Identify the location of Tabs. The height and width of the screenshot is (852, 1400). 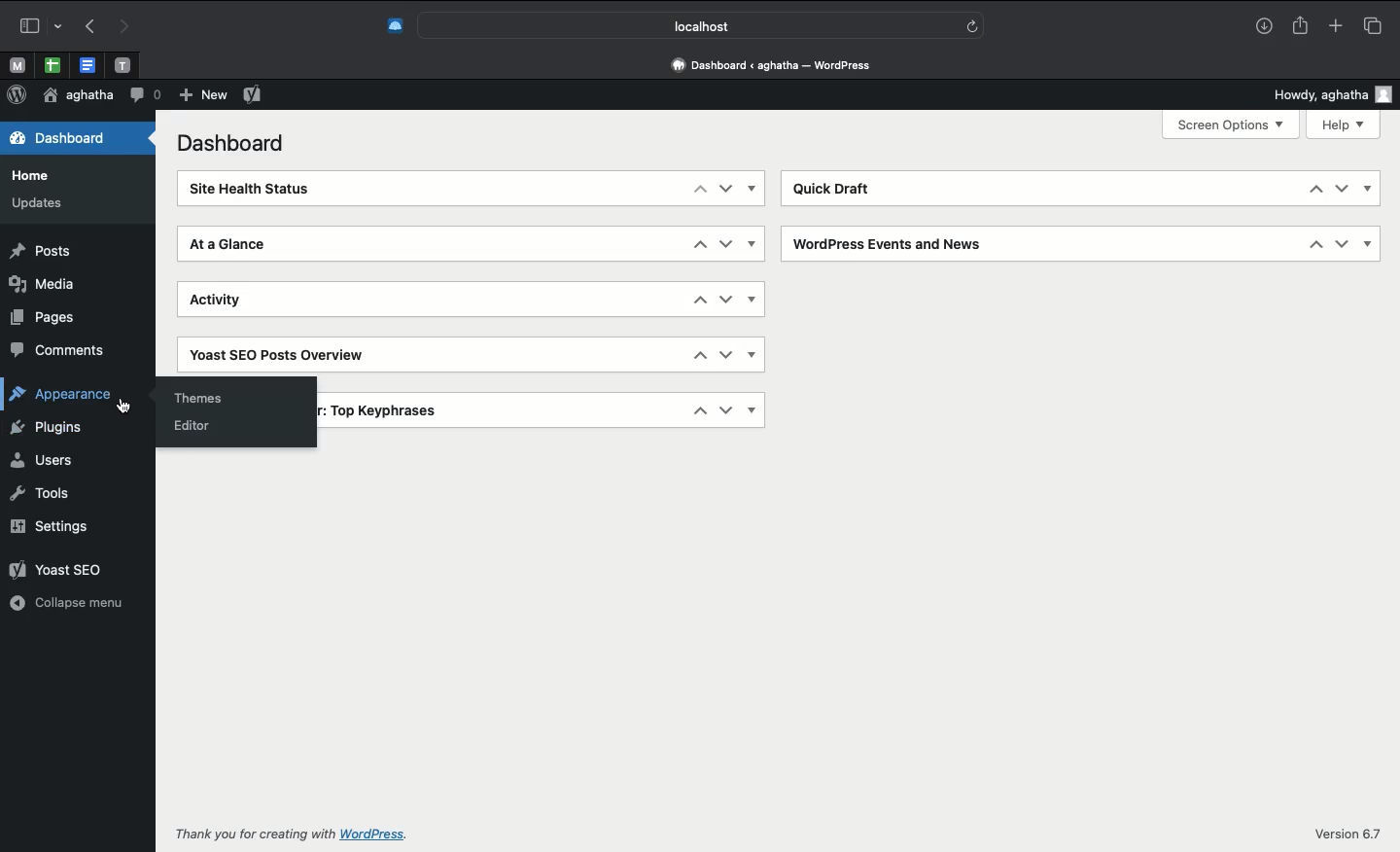
(1372, 25).